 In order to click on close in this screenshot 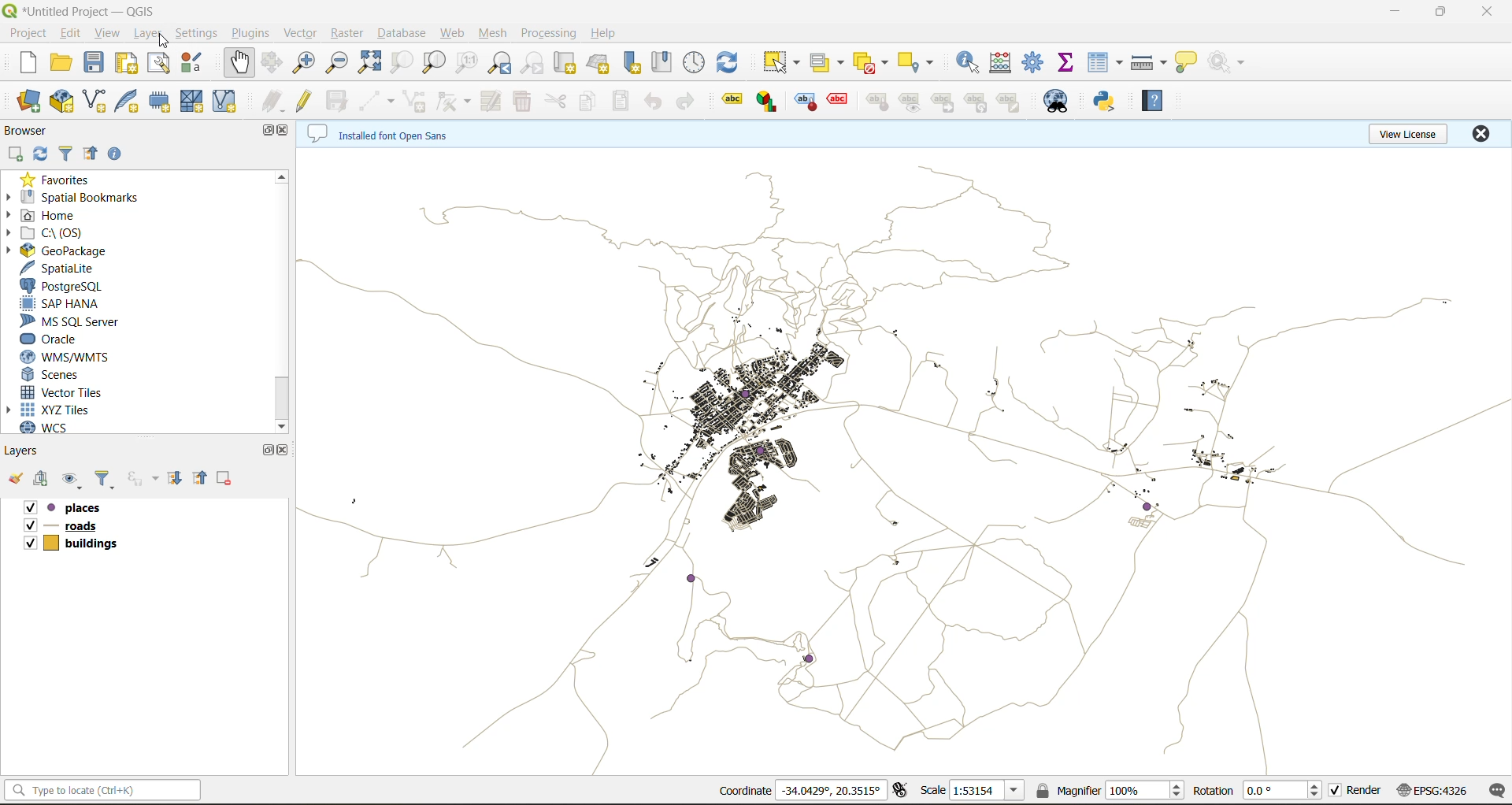, I will do `click(1488, 13)`.